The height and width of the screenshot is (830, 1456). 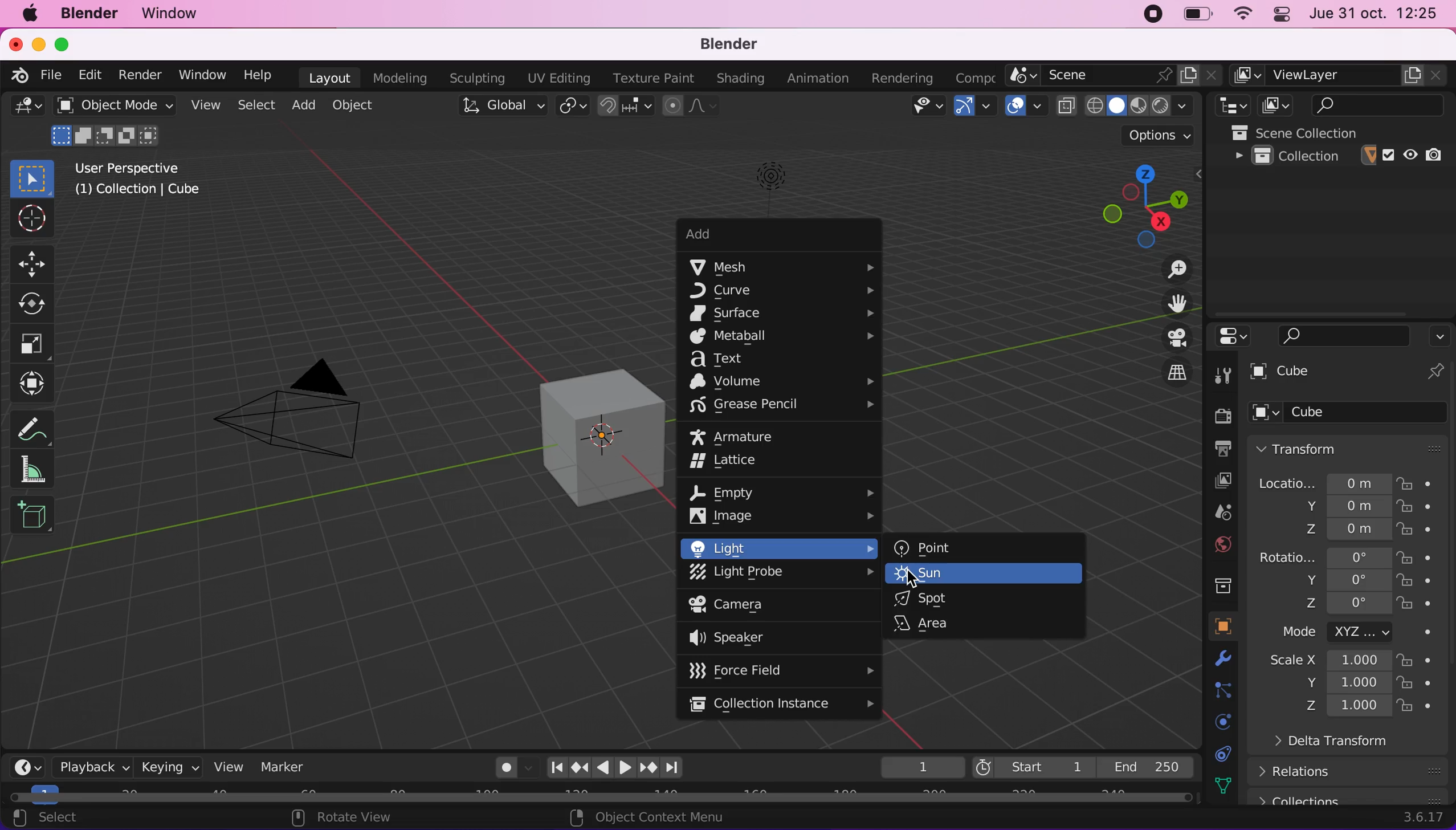 I want to click on lock, so click(x=1427, y=707).